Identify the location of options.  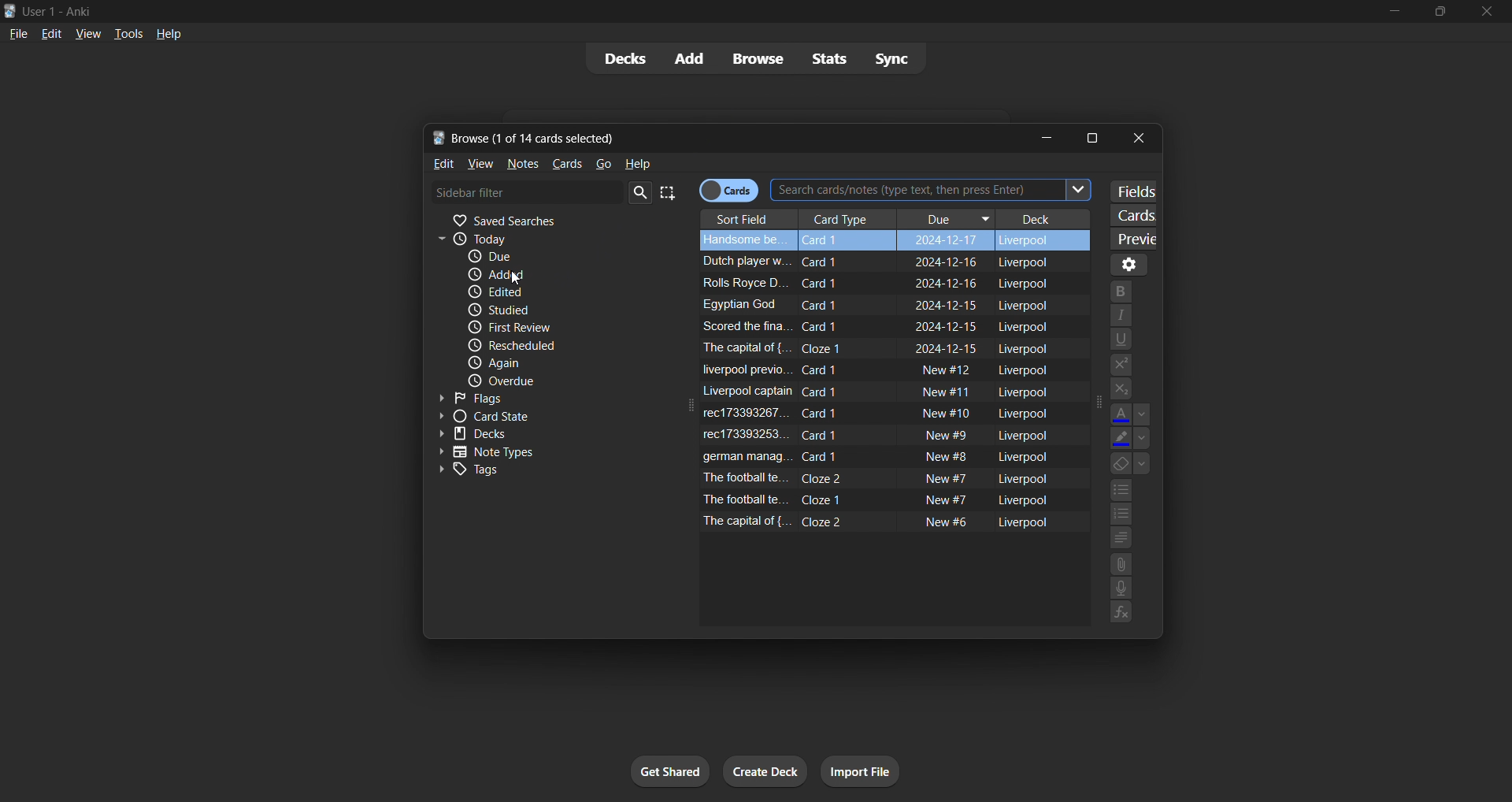
(1129, 264).